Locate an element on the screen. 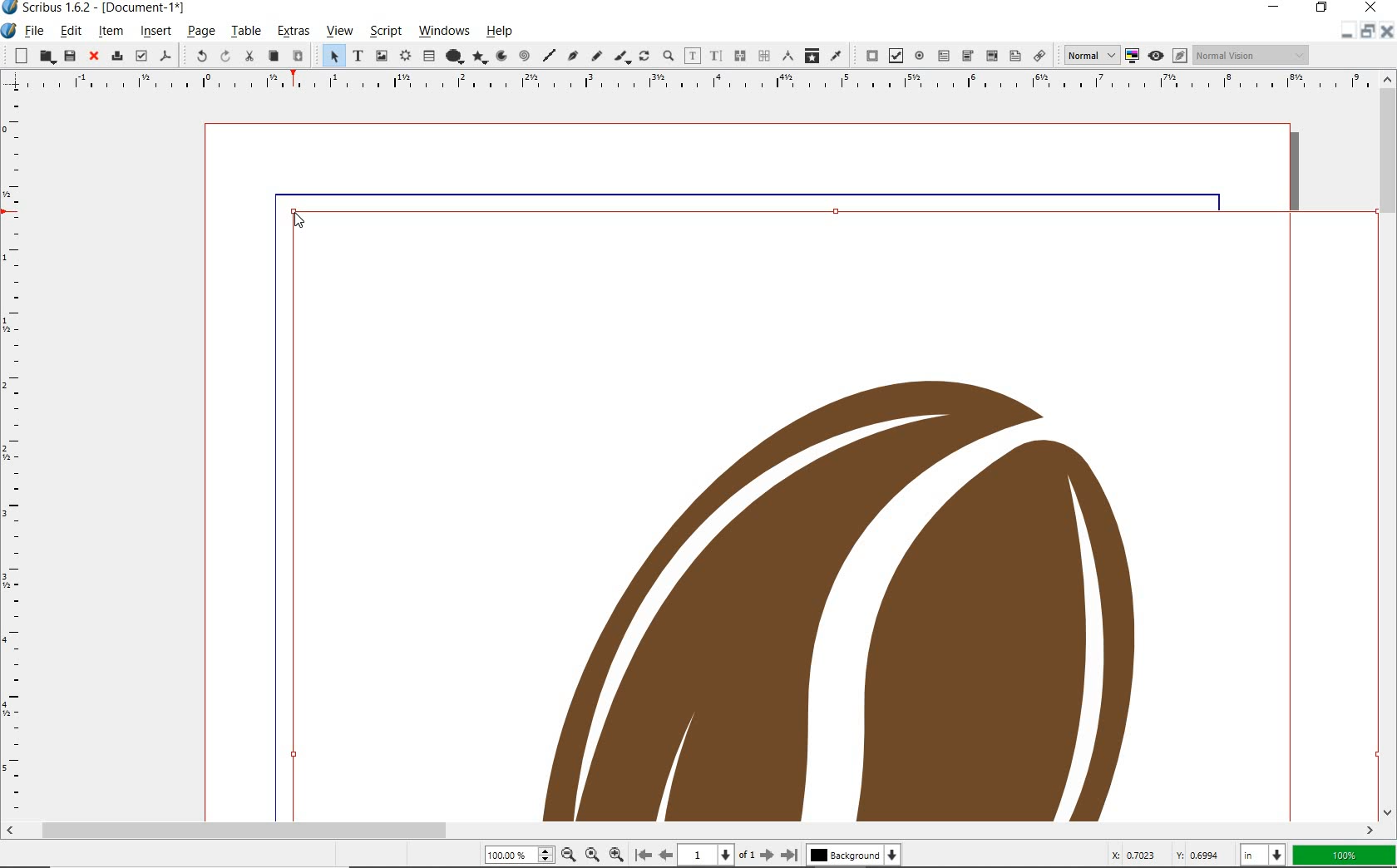  pdf combo box is located at coordinates (967, 56).